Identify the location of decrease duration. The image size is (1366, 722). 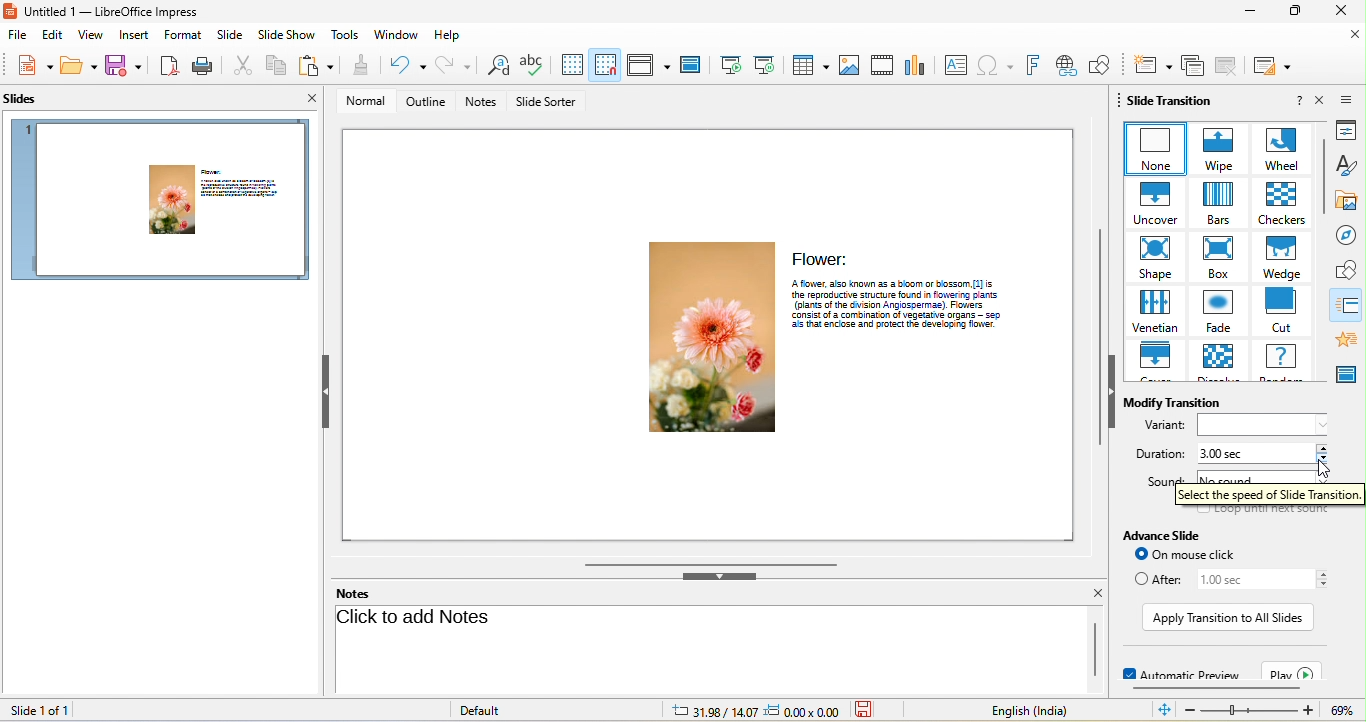
(1325, 459).